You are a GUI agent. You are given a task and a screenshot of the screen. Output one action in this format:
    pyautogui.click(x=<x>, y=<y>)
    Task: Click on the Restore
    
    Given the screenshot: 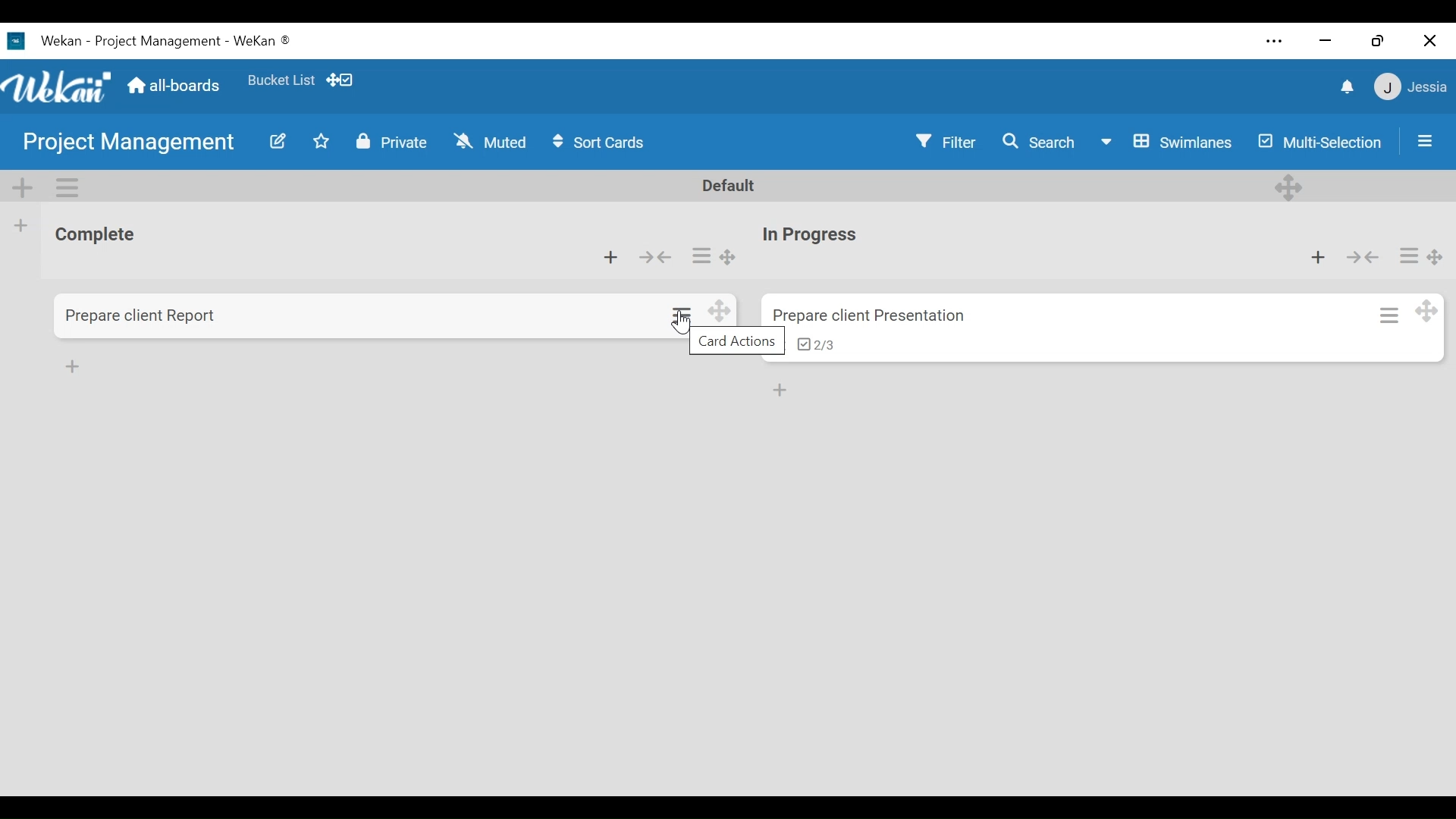 What is the action you would take?
    pyautogui.click(x=1380, y=39)
    